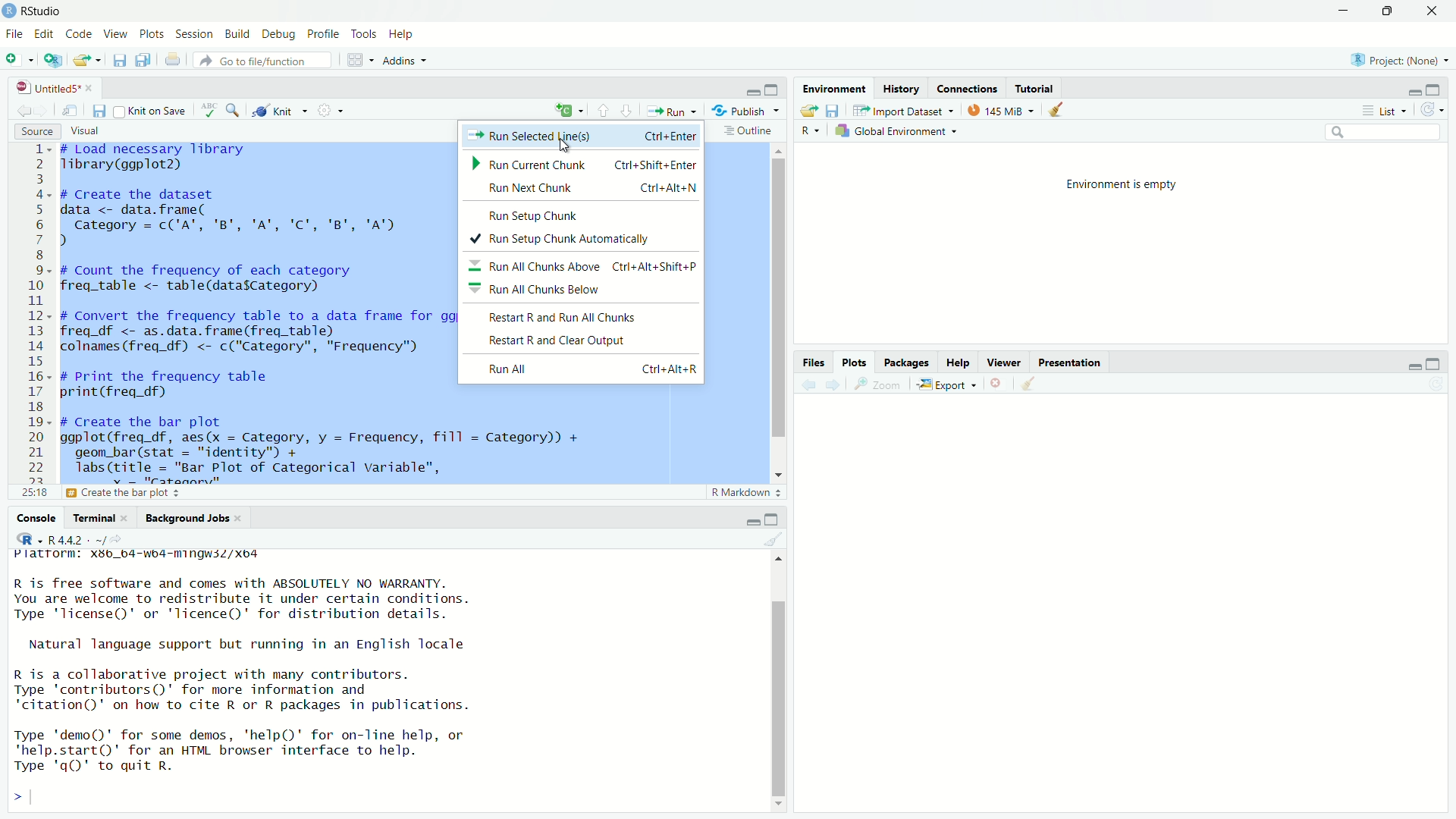  Describe the element at coordinates (1005, 364) in the screenshot. I see `viewer` at that location.